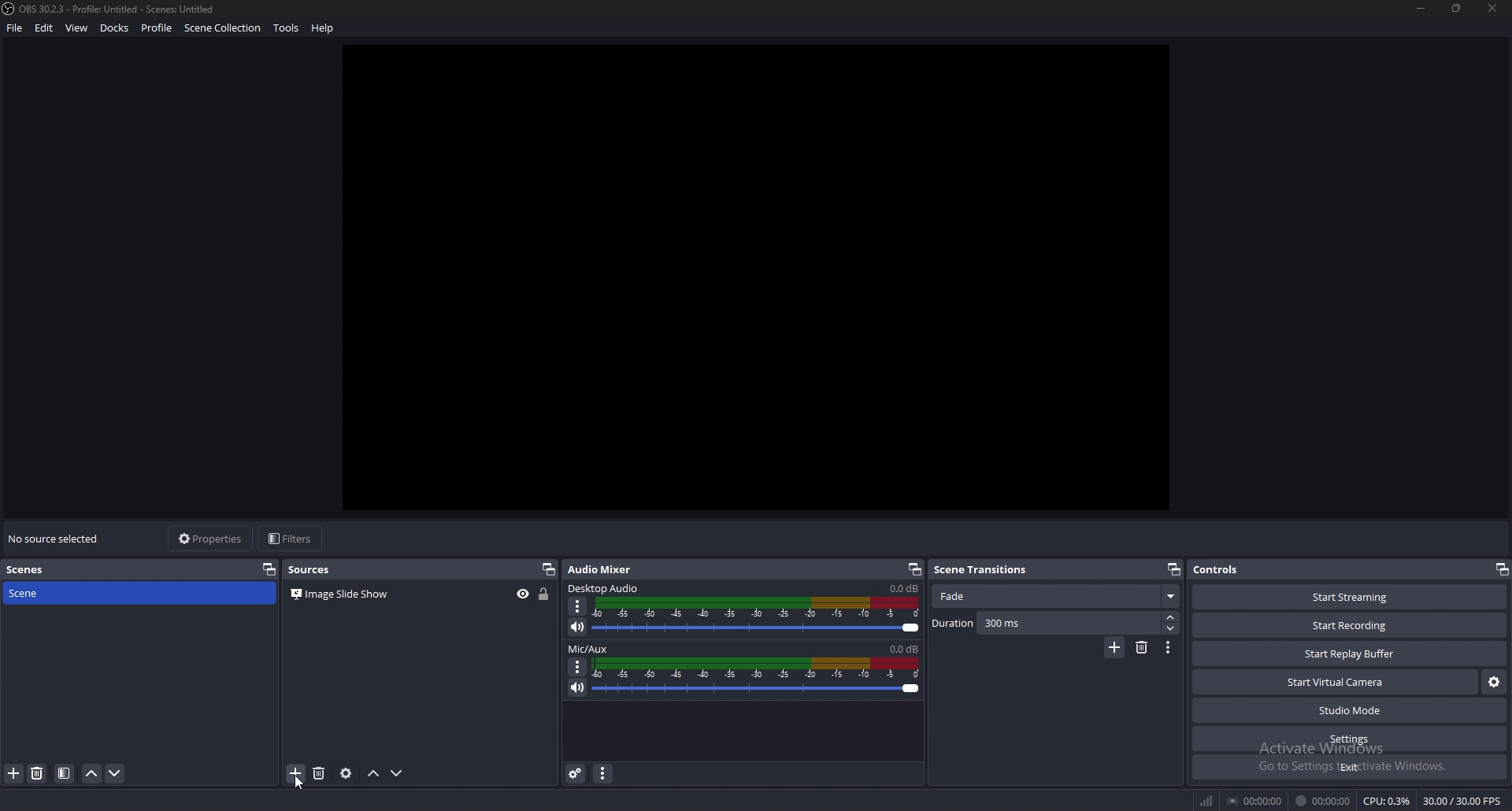 The width and height of the screenshot is (1512, 811). What do you see at coordinates (56, 538) in the screenshot?
I see `no source selected` at bounding box center [56, 538].